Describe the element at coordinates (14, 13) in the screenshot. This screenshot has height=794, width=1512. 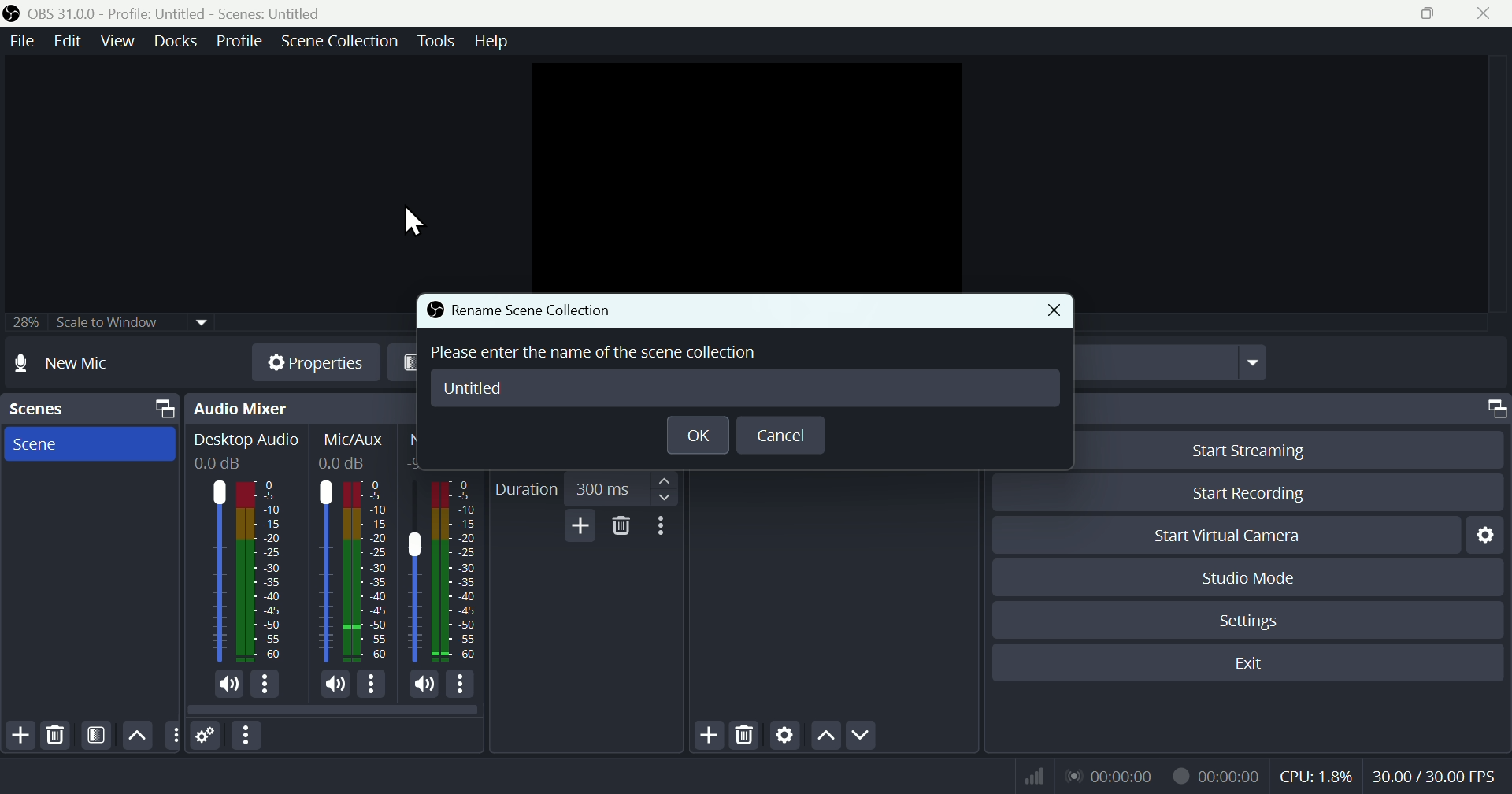
I see `obs studio icon` at that location.